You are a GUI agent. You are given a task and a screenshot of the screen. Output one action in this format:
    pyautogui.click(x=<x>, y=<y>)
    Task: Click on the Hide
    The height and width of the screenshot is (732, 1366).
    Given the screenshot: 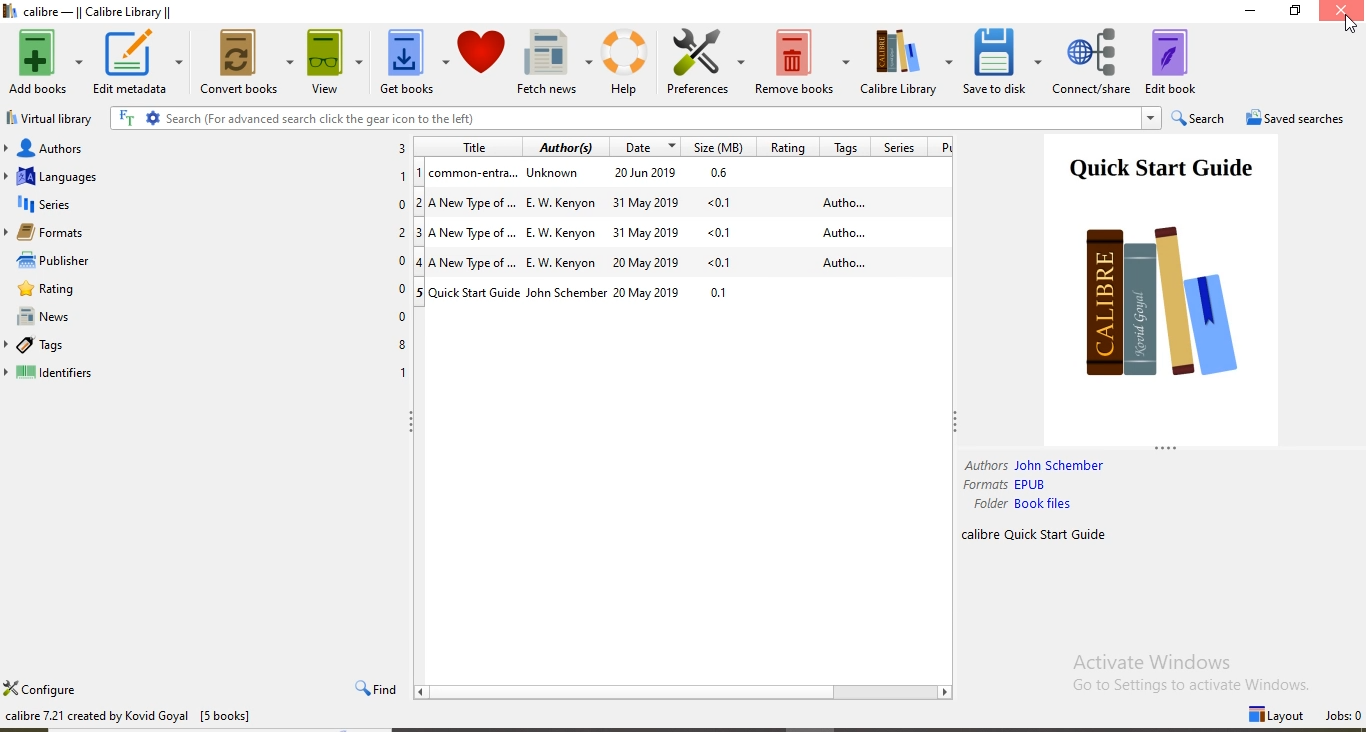 What is the action you would take?
    pyautogui.click(x=955, y=424)
    